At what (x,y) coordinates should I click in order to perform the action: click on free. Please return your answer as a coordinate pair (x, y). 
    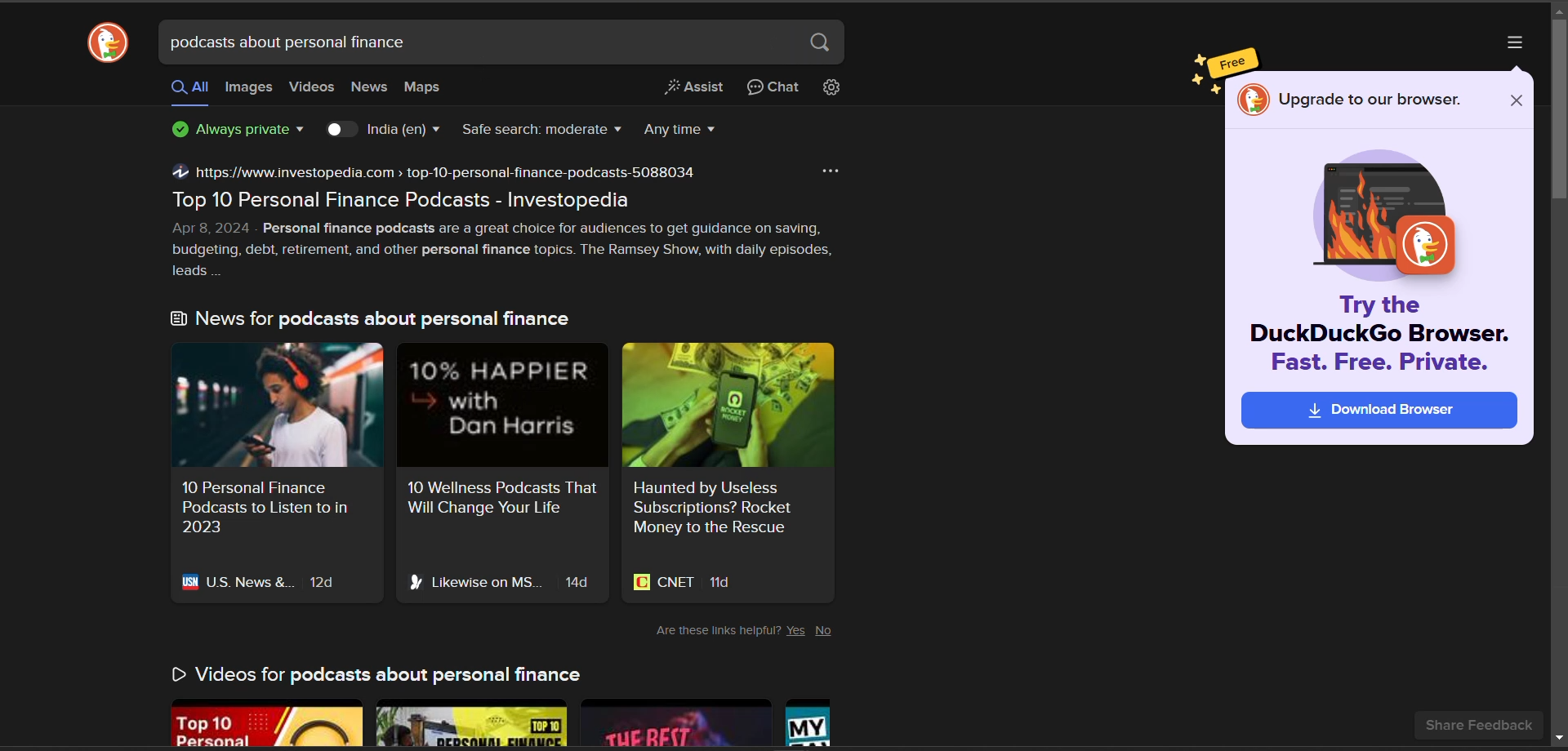
    Looking at the image, I should click on (1233, 62).